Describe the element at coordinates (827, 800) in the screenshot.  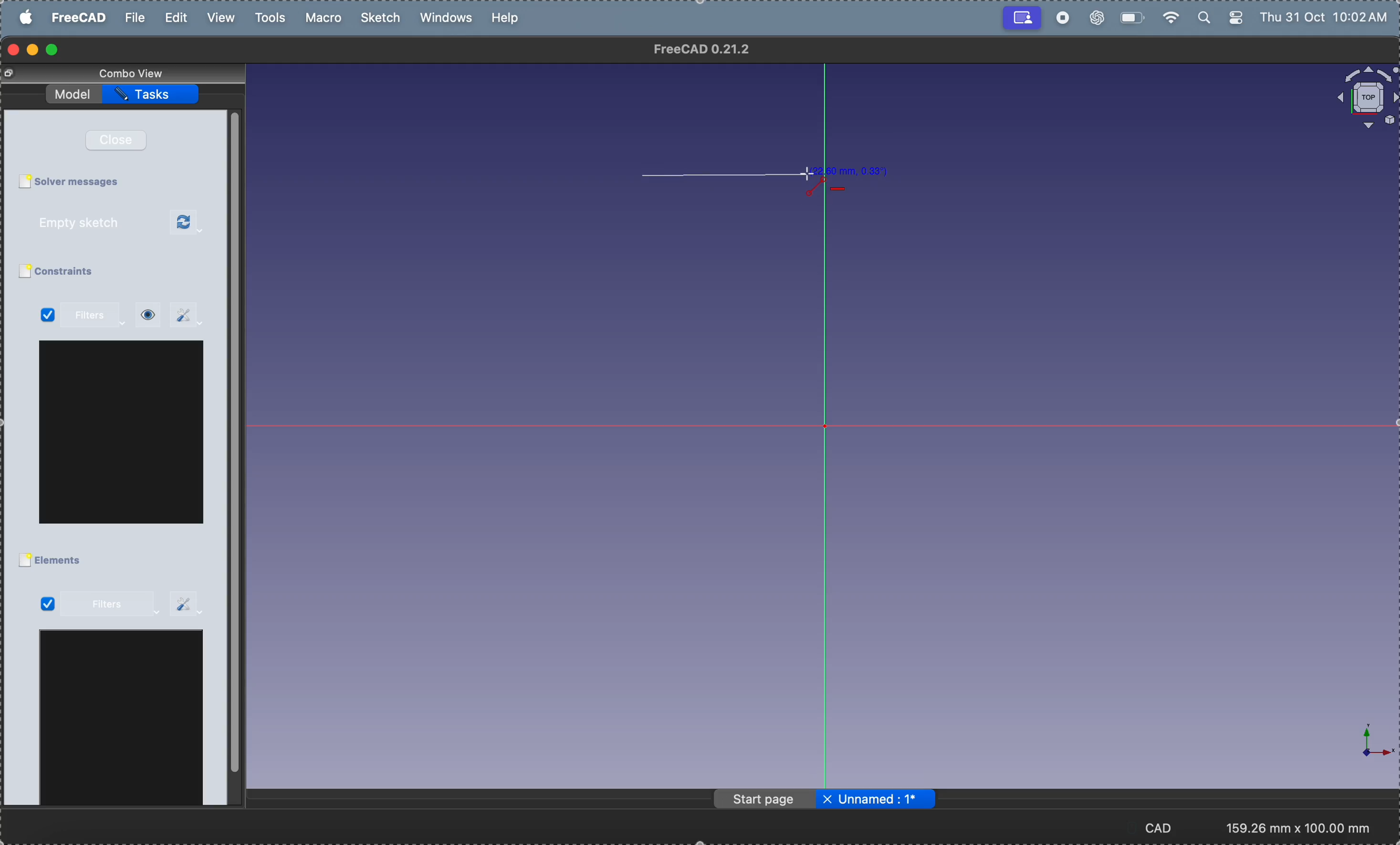
I see `close file` at that location.